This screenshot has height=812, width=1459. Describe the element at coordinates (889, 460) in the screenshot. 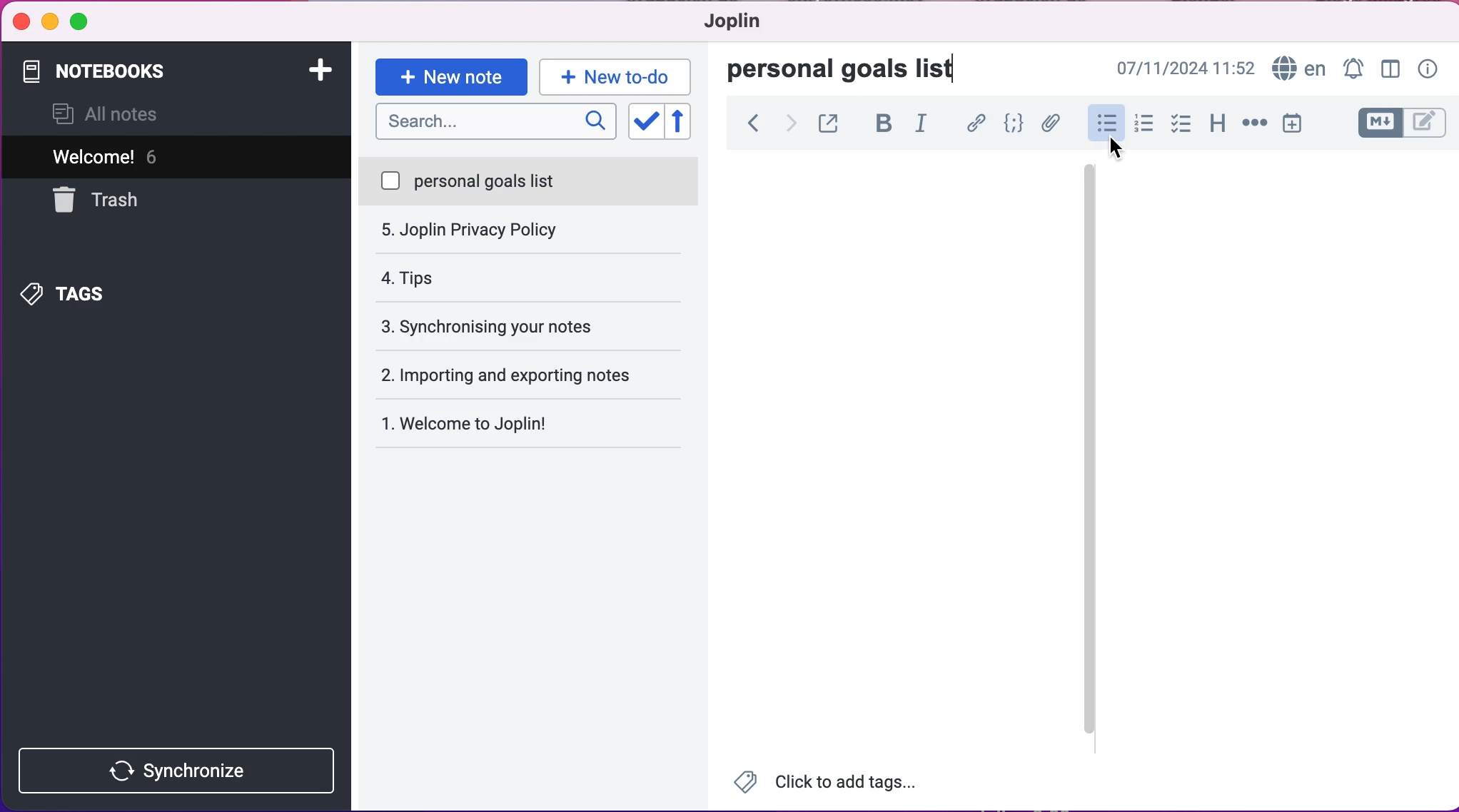

I see `empty canvas` at that location.